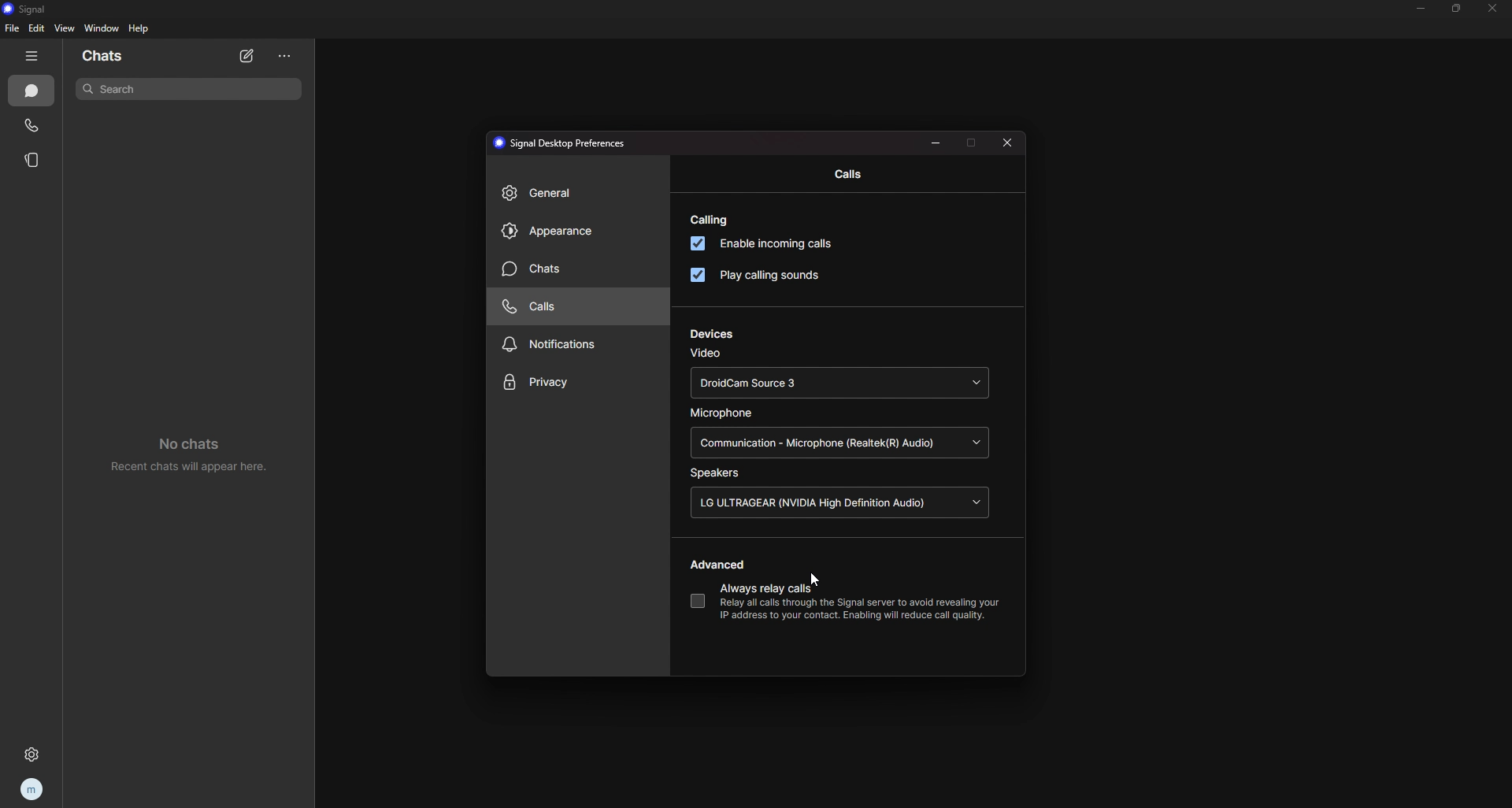 The width and height of the screenshot is (1512, 808). What do you see at coordinates (705, 353) in the screenshot?
I see `video` at bounding box center [705, 353].